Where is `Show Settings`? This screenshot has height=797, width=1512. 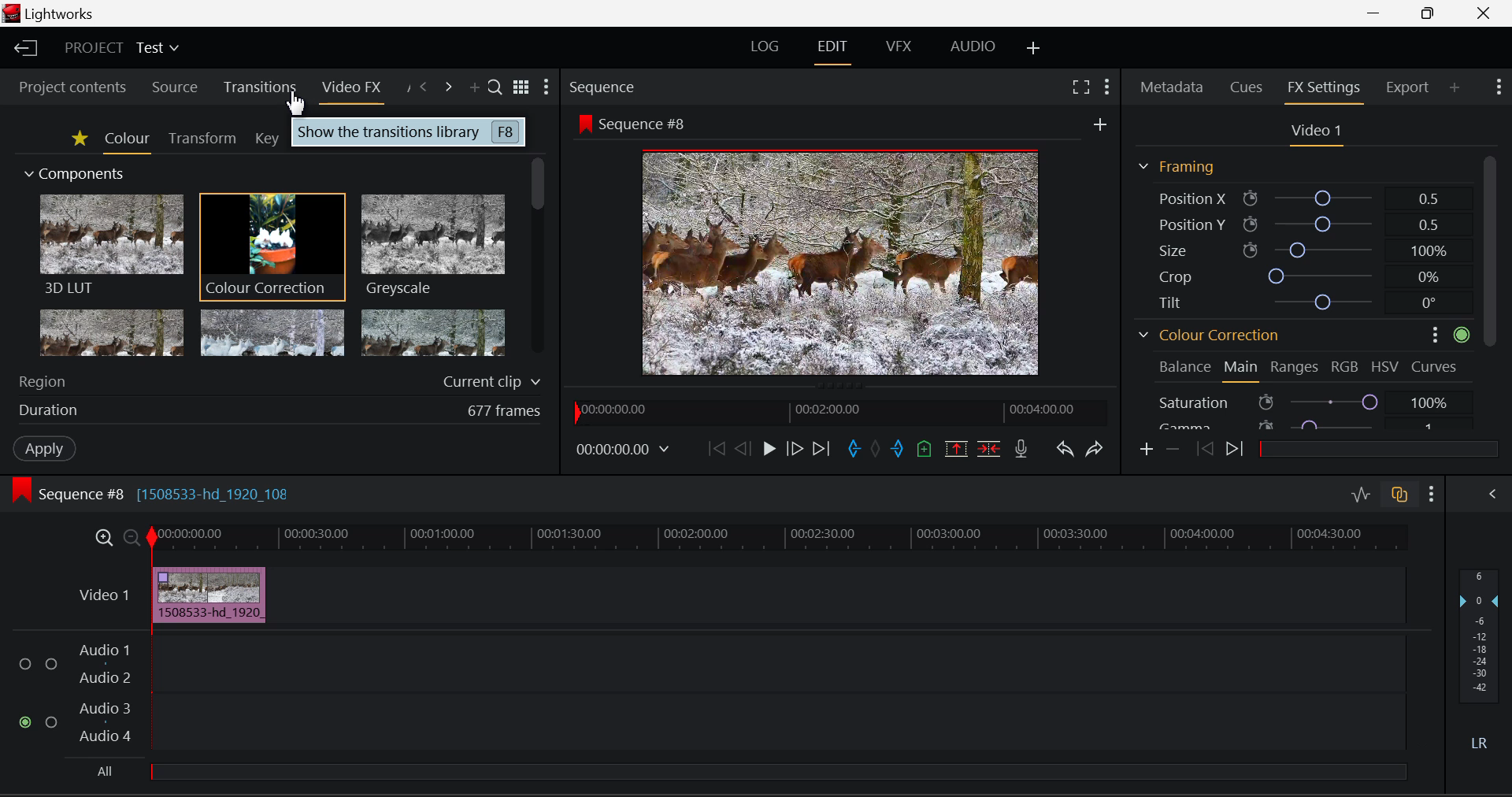
Show Settings is located at coordinates (1432, 495).